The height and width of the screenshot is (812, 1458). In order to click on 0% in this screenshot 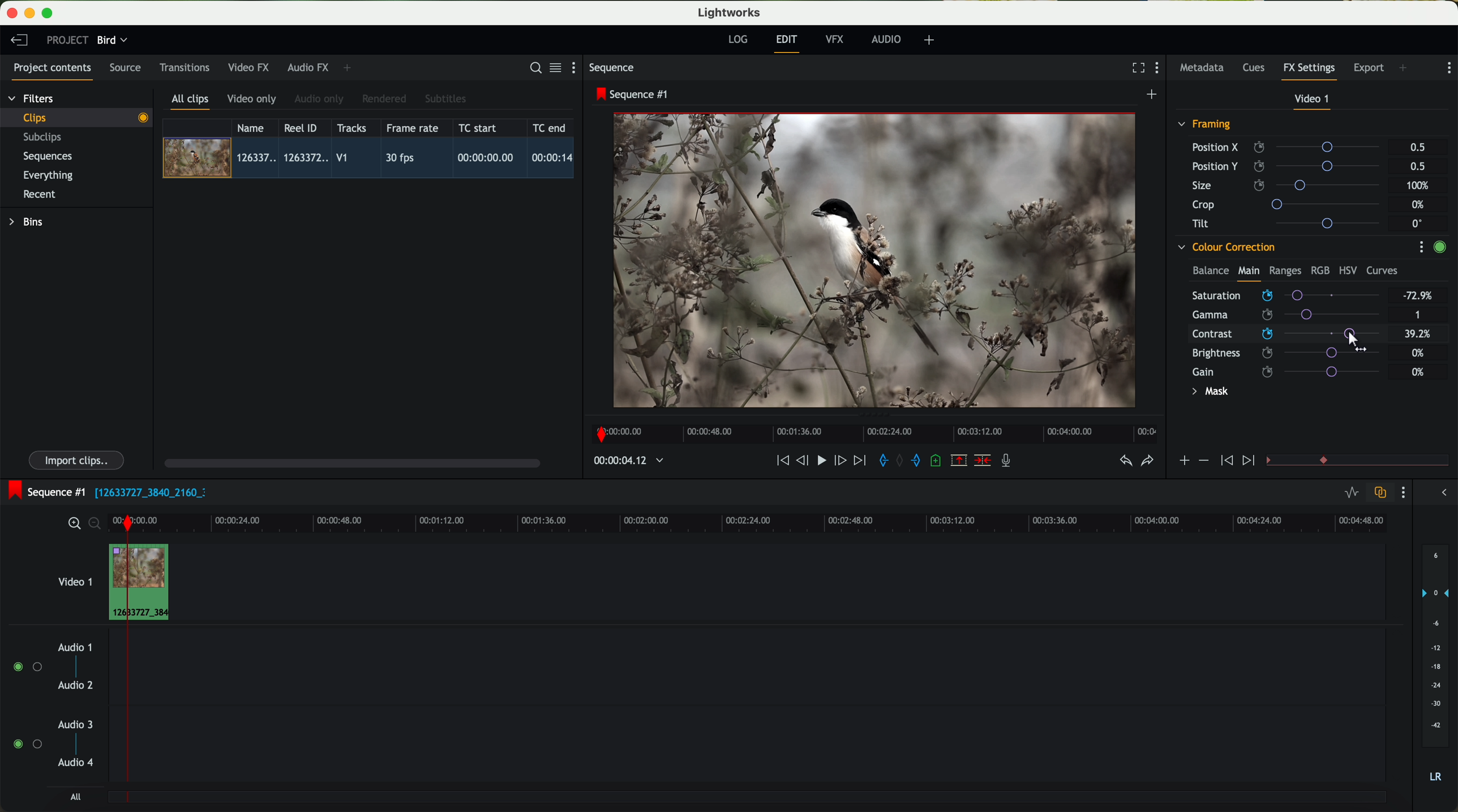, I will do `click(1420, 205)`.